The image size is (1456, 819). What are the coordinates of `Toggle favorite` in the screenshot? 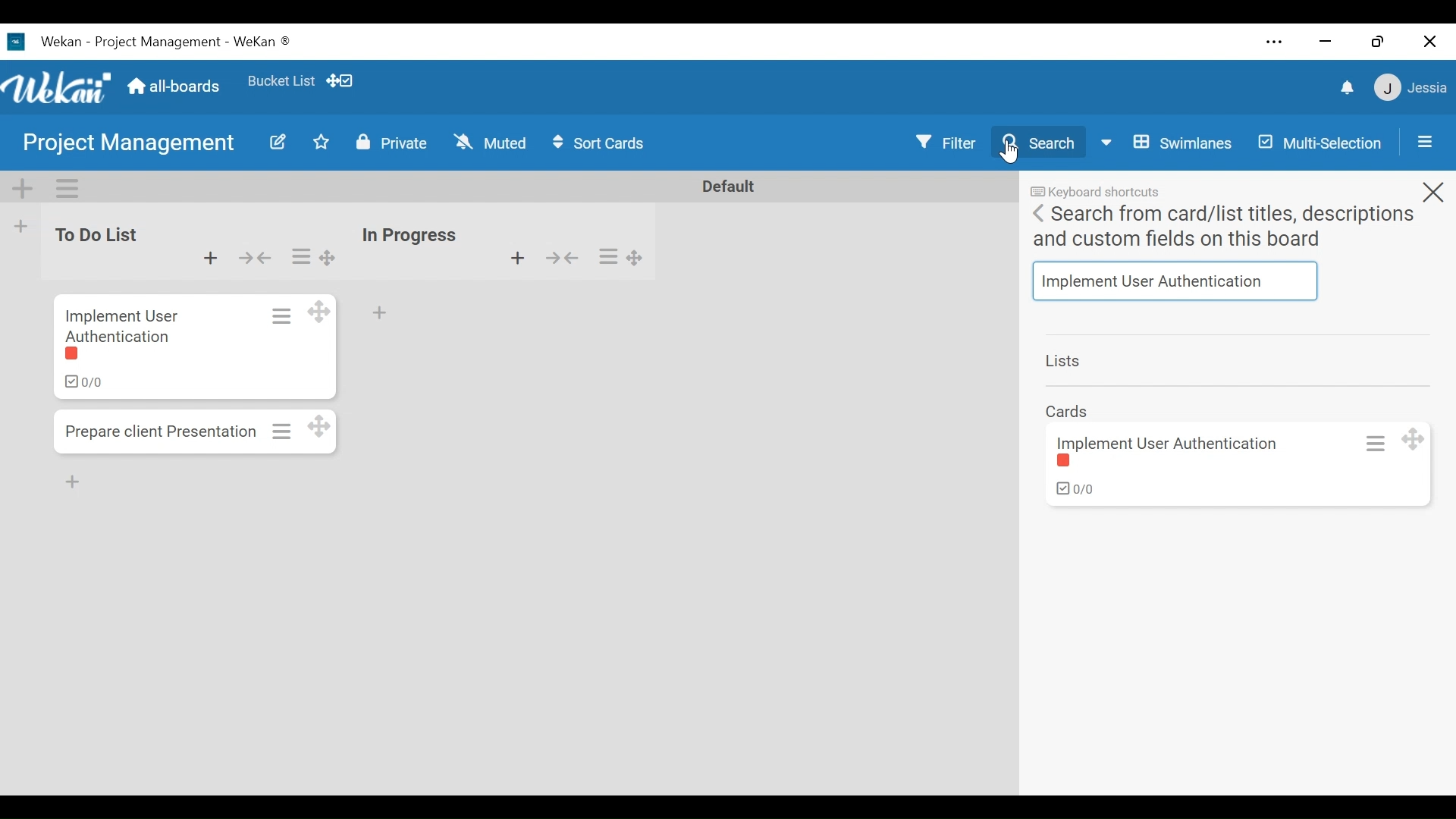 It's located at (322, 143).